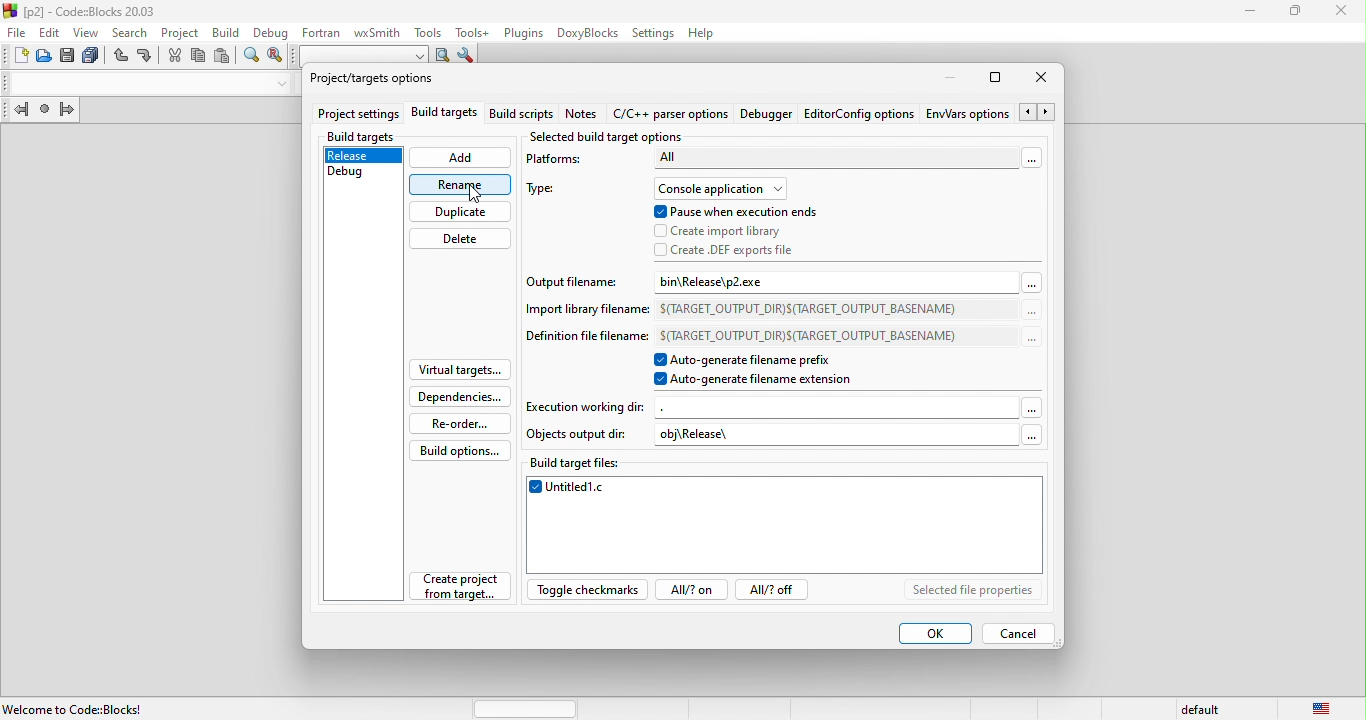 This screenshot has width=1366, height=720. I want to click on welcome to code blocks, so click(81, 707).